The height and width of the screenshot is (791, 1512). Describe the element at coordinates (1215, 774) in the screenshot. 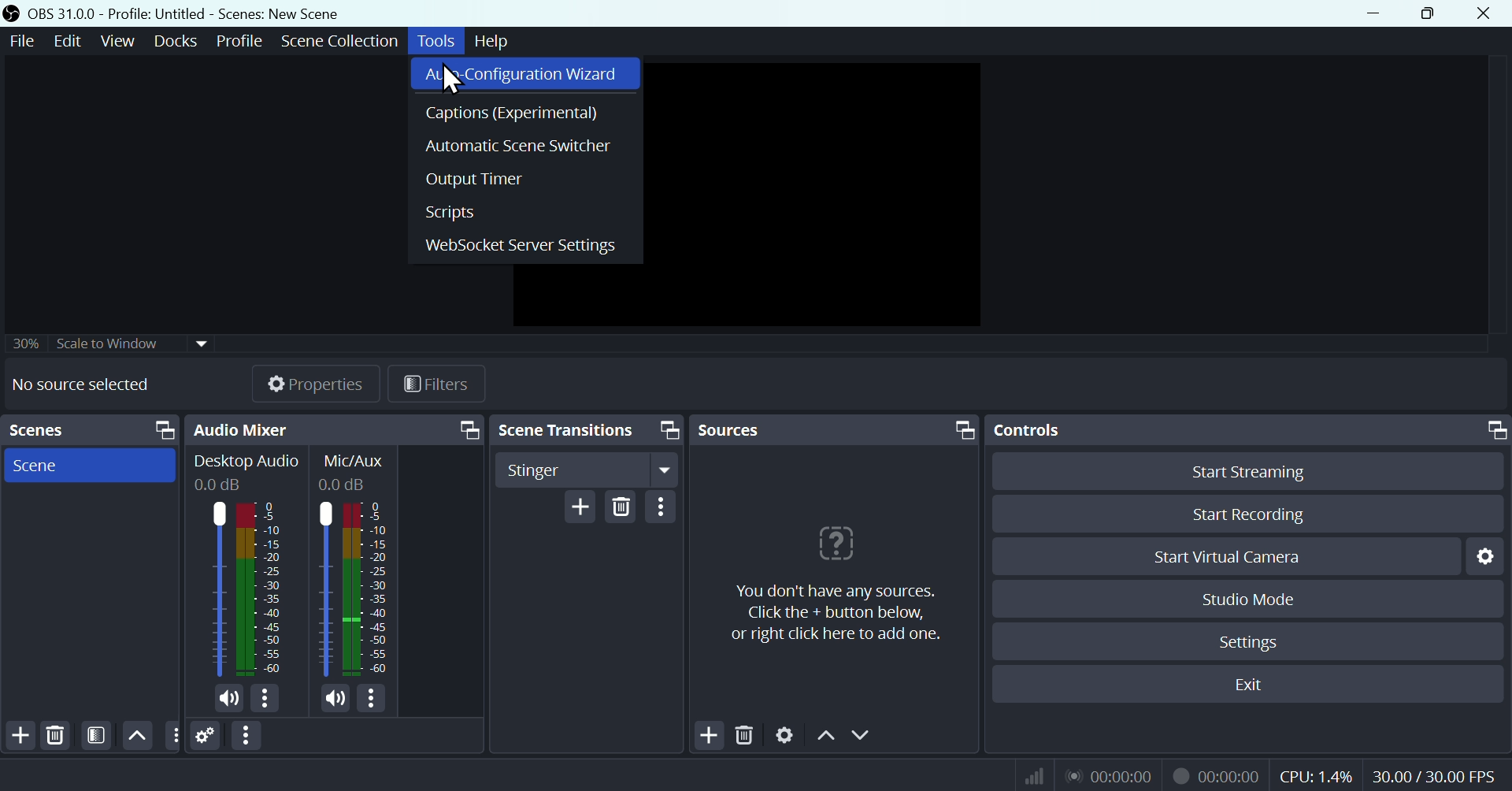

I see `Video recorder` at that location.